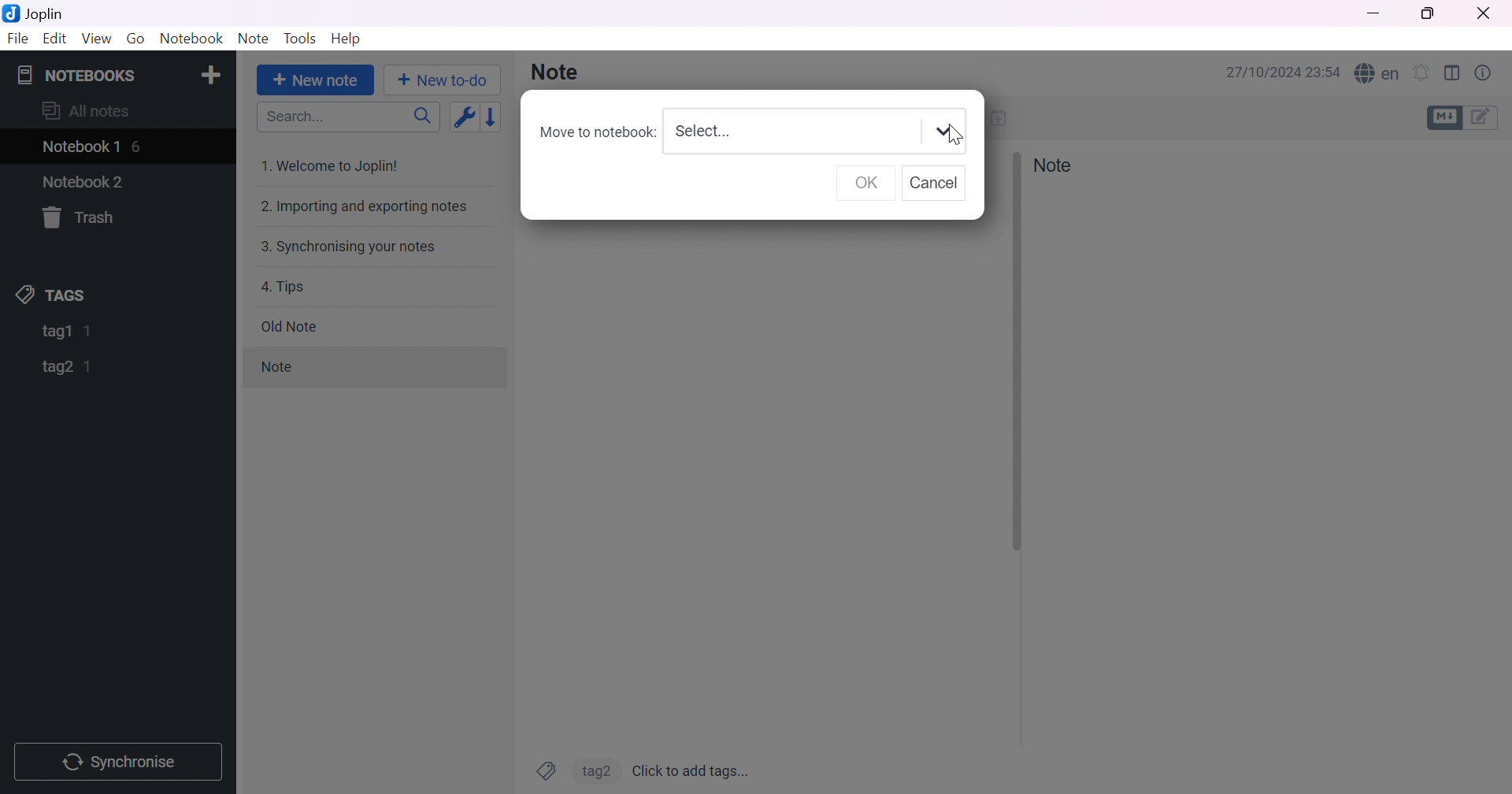  Describe the element at coordinates (86, 109) in the screenshot. I see `All notes` at that location.